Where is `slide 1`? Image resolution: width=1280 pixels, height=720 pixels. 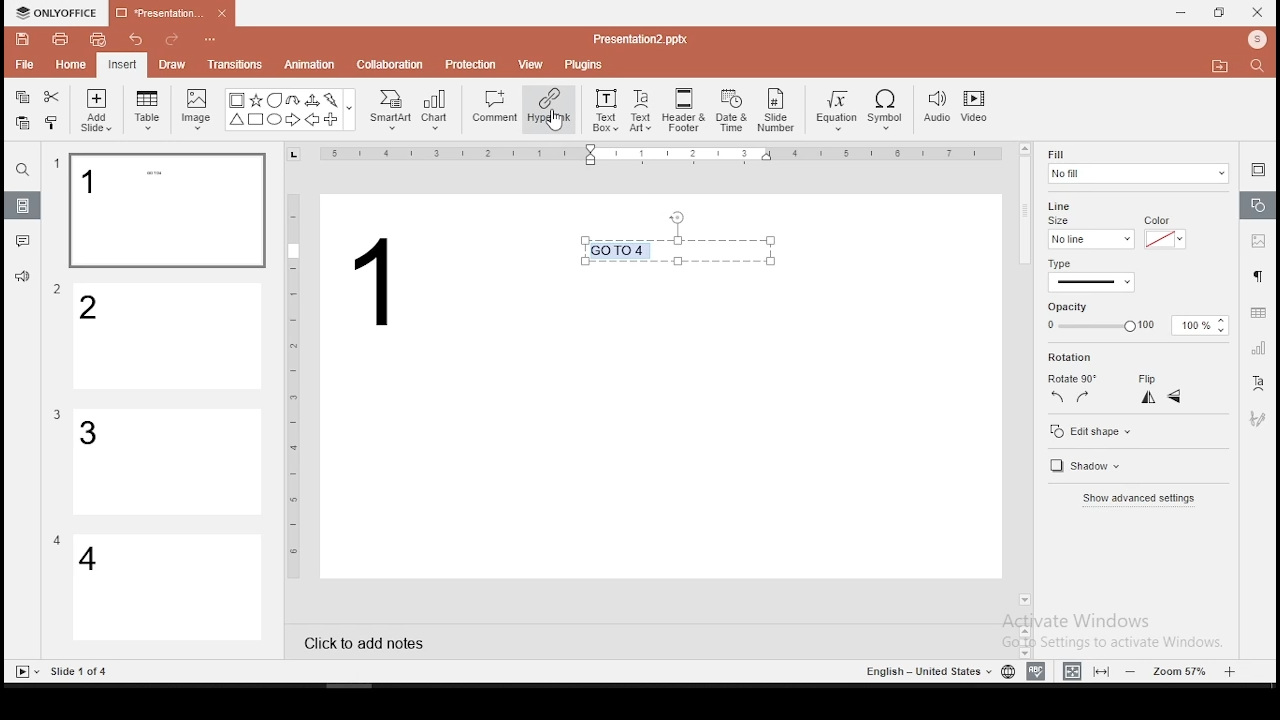 slide 1 is located at coordinates (166, 211).